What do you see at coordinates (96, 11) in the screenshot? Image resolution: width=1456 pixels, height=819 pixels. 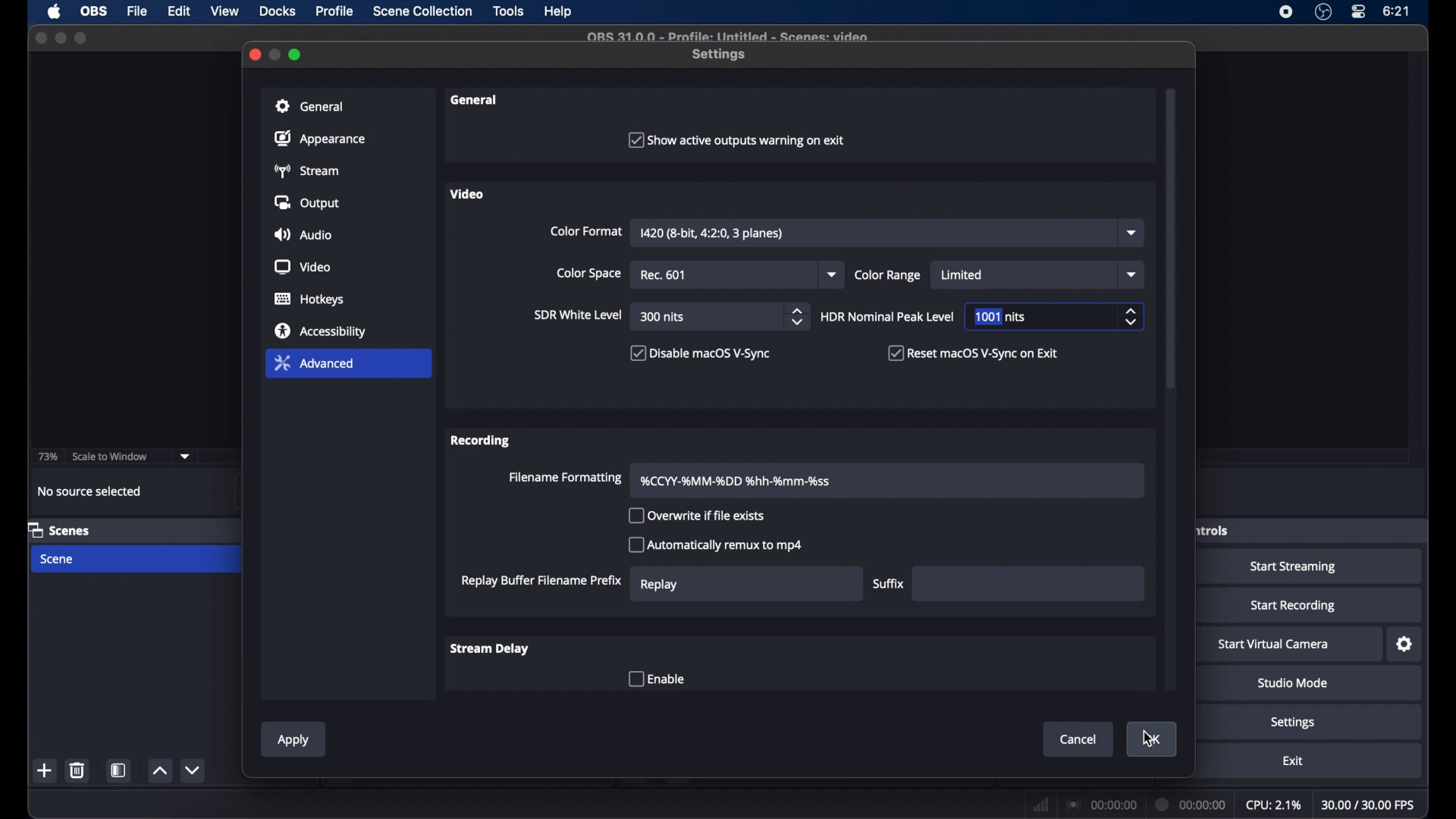 I see `obs` at bounding box center [96, 11].